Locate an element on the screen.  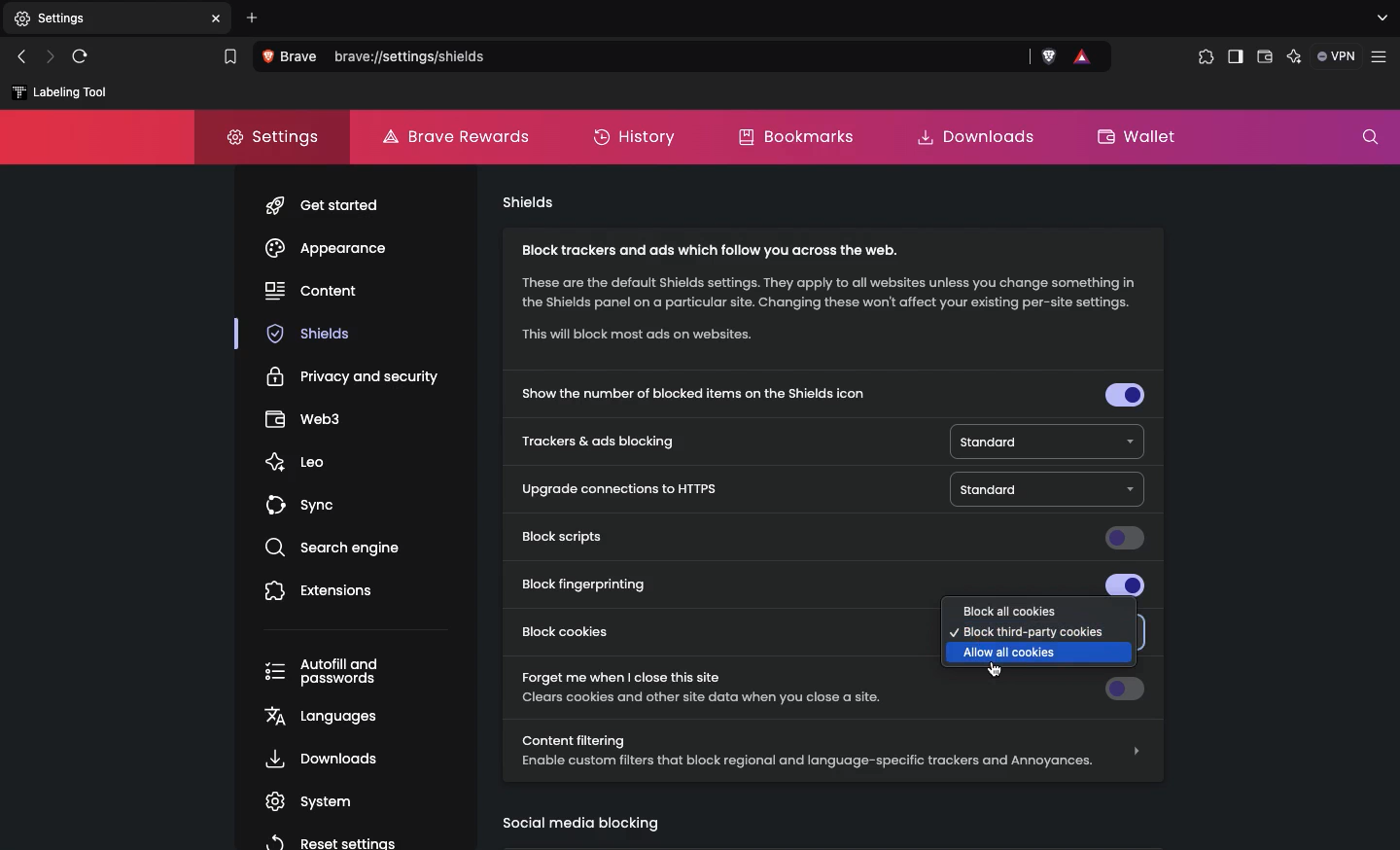
Social media blocking is located at coordinates (583, 825).